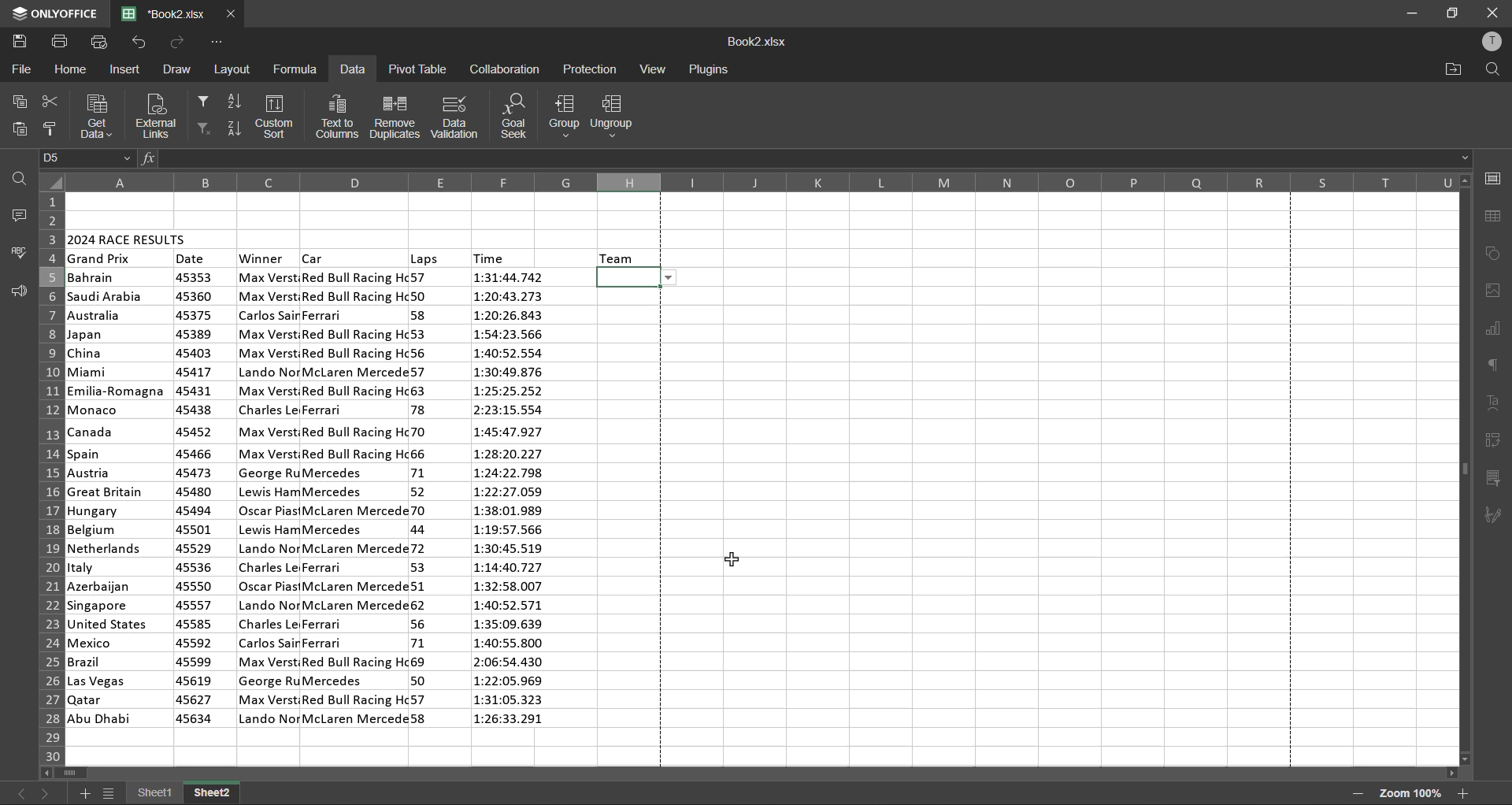 The width and height of the screenshot is (1512, 805). Describe the element at coordinates (20, 252) in the screenshot. I see `spellcheck` at that location.